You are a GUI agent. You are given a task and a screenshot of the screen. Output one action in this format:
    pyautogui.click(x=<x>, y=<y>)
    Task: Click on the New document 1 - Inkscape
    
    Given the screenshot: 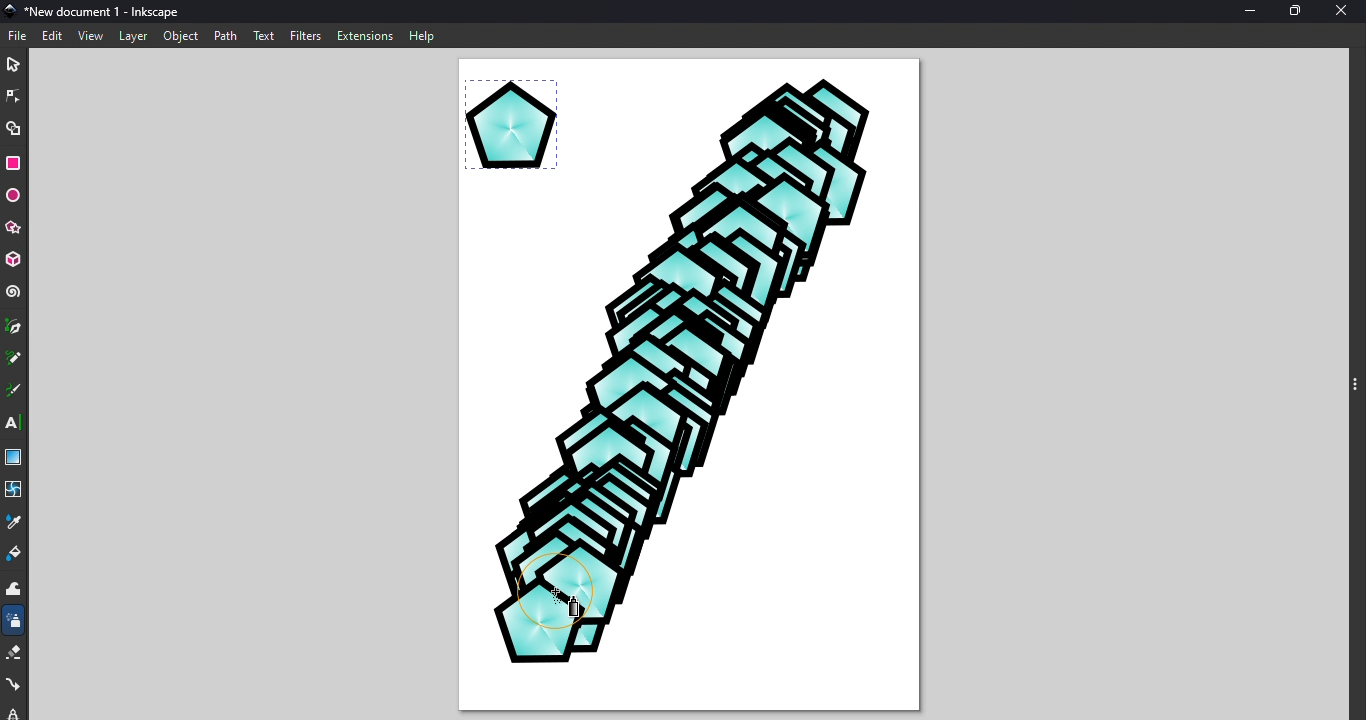 What is the action you would take?
    pyautogui.click(x=106, y=10)
    